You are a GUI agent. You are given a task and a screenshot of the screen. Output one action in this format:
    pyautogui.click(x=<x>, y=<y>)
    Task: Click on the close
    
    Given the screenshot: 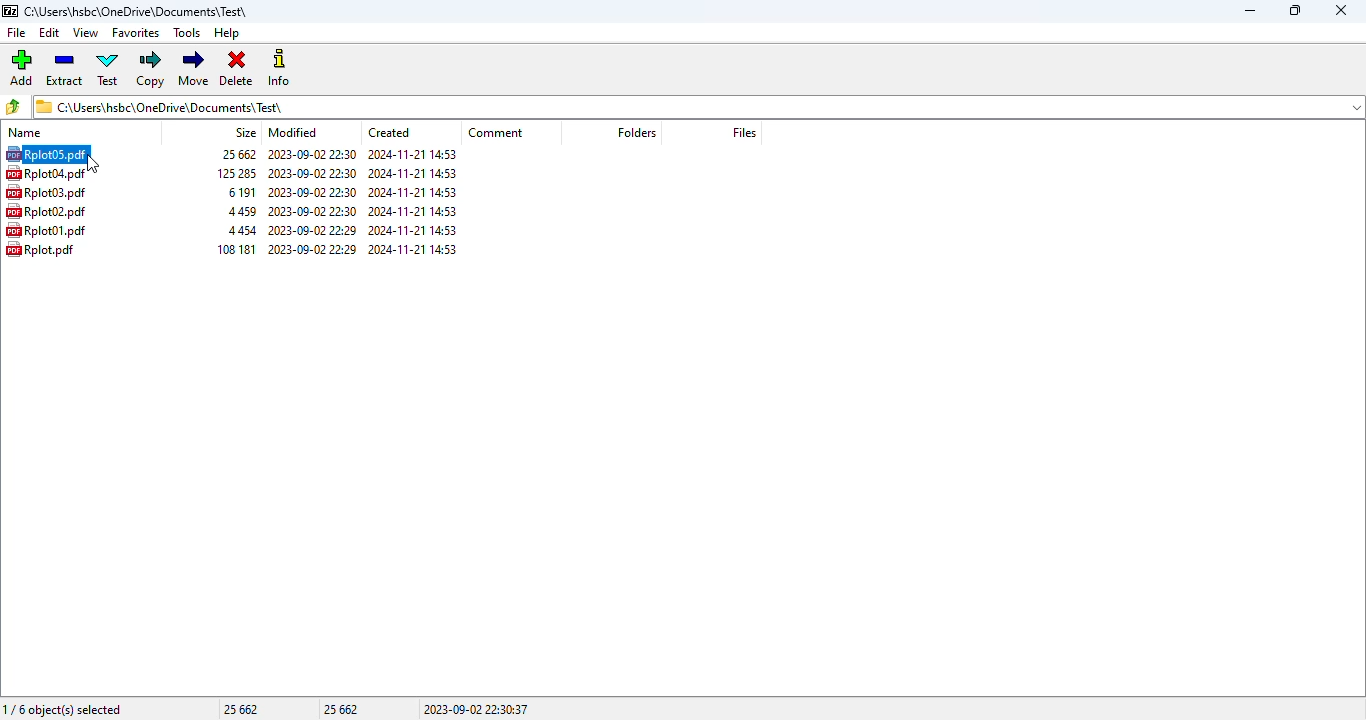 What is the action you would take?
    pyautogui.click(x=1341, y=10)
    